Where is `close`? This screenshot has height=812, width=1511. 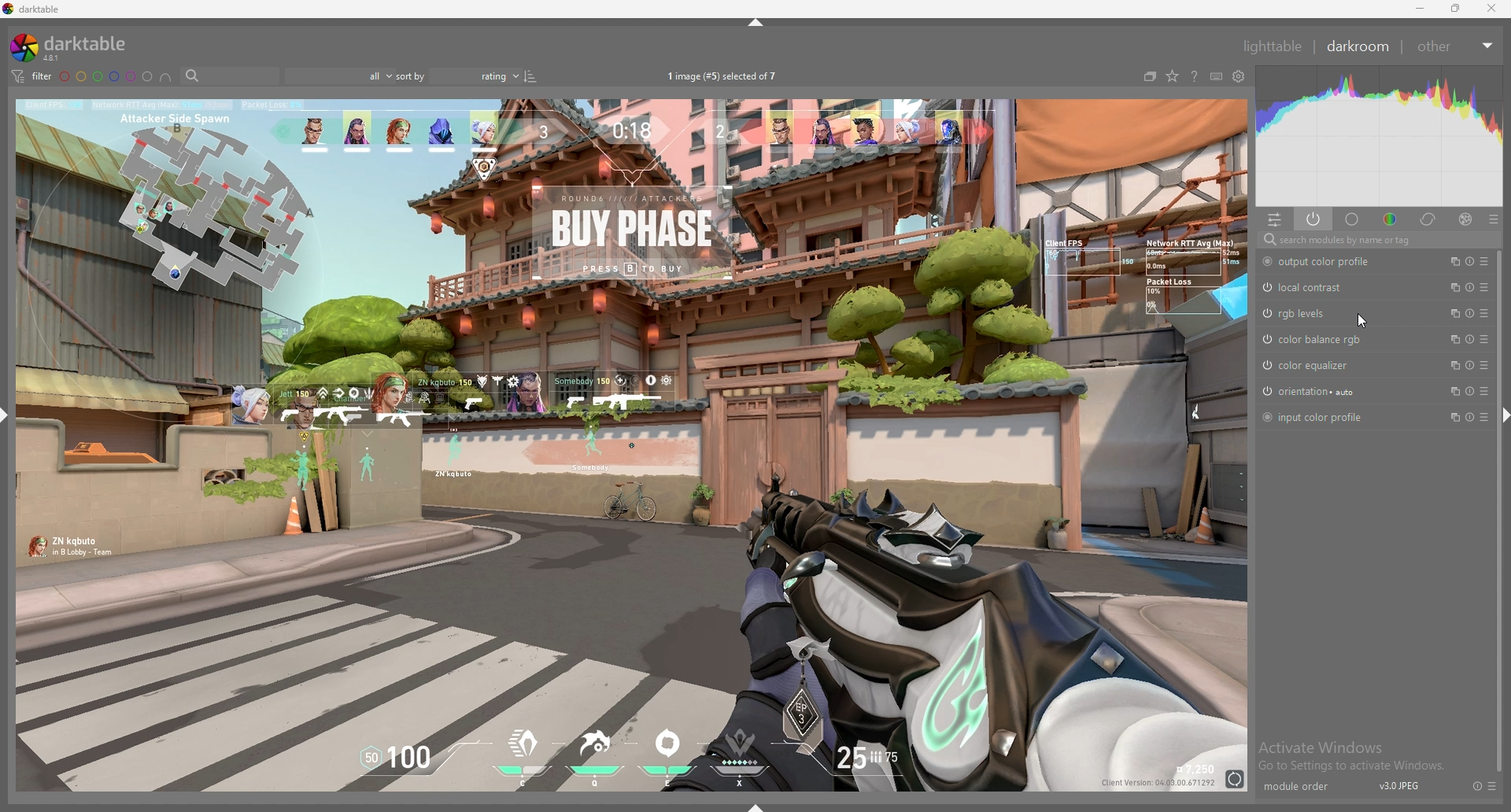
close is located at coordinates (1492, 9).